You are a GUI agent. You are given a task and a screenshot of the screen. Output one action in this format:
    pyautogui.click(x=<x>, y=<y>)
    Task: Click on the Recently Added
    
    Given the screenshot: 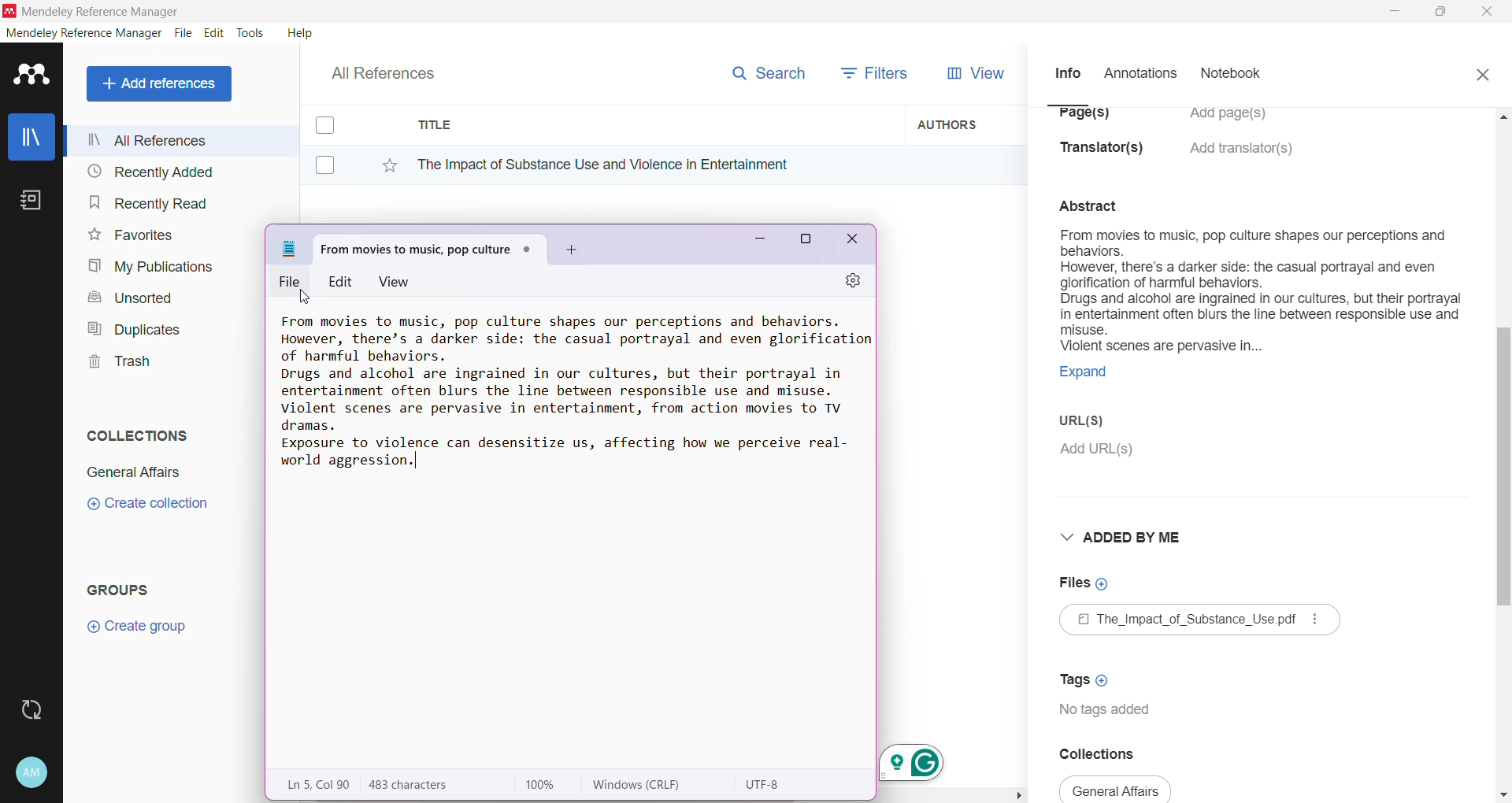 What is the action you would take?
    pyautogui.click(x=148, y=172)
    